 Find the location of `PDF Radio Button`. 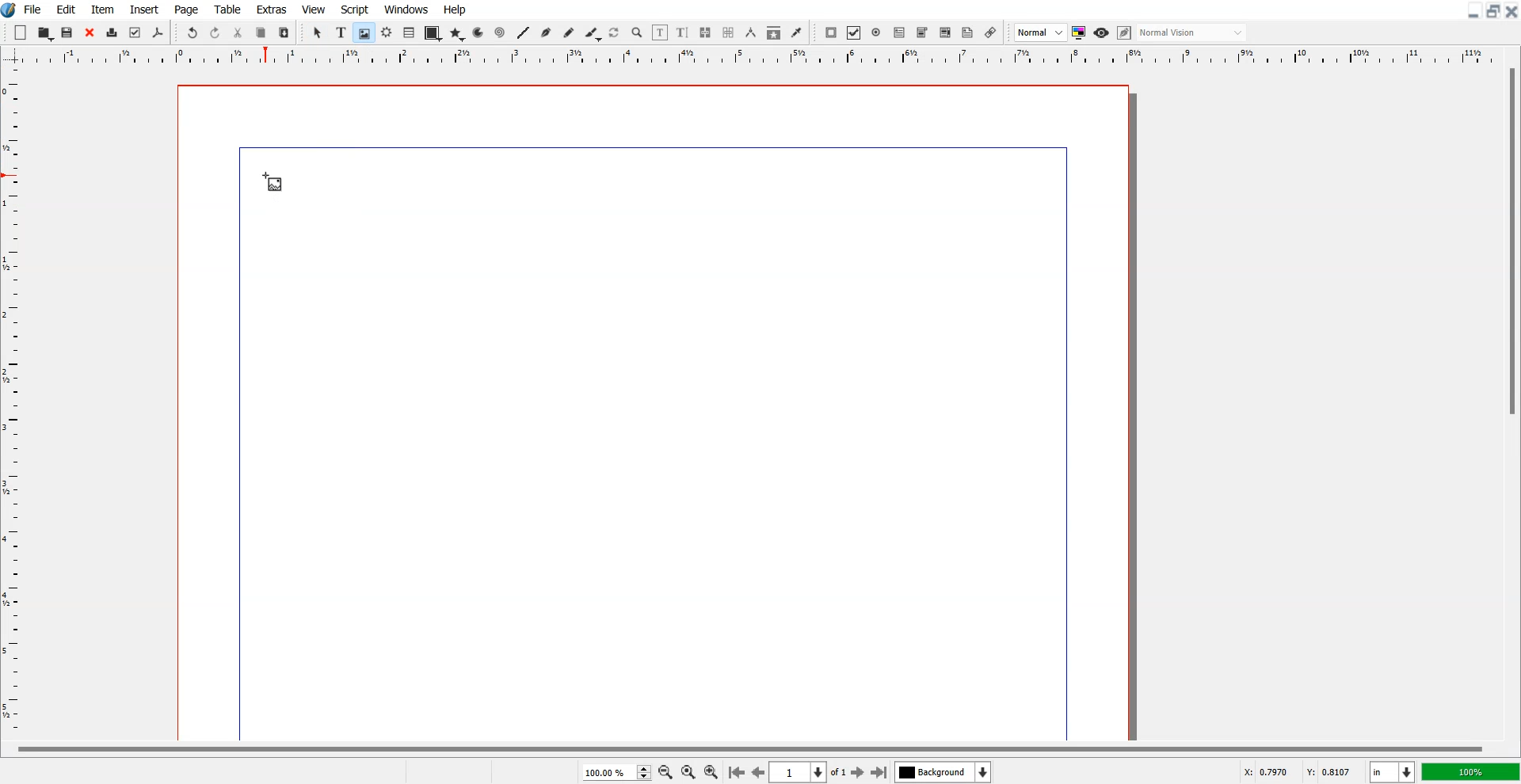

PDF Radio Button is located at coordinates (876, 32).